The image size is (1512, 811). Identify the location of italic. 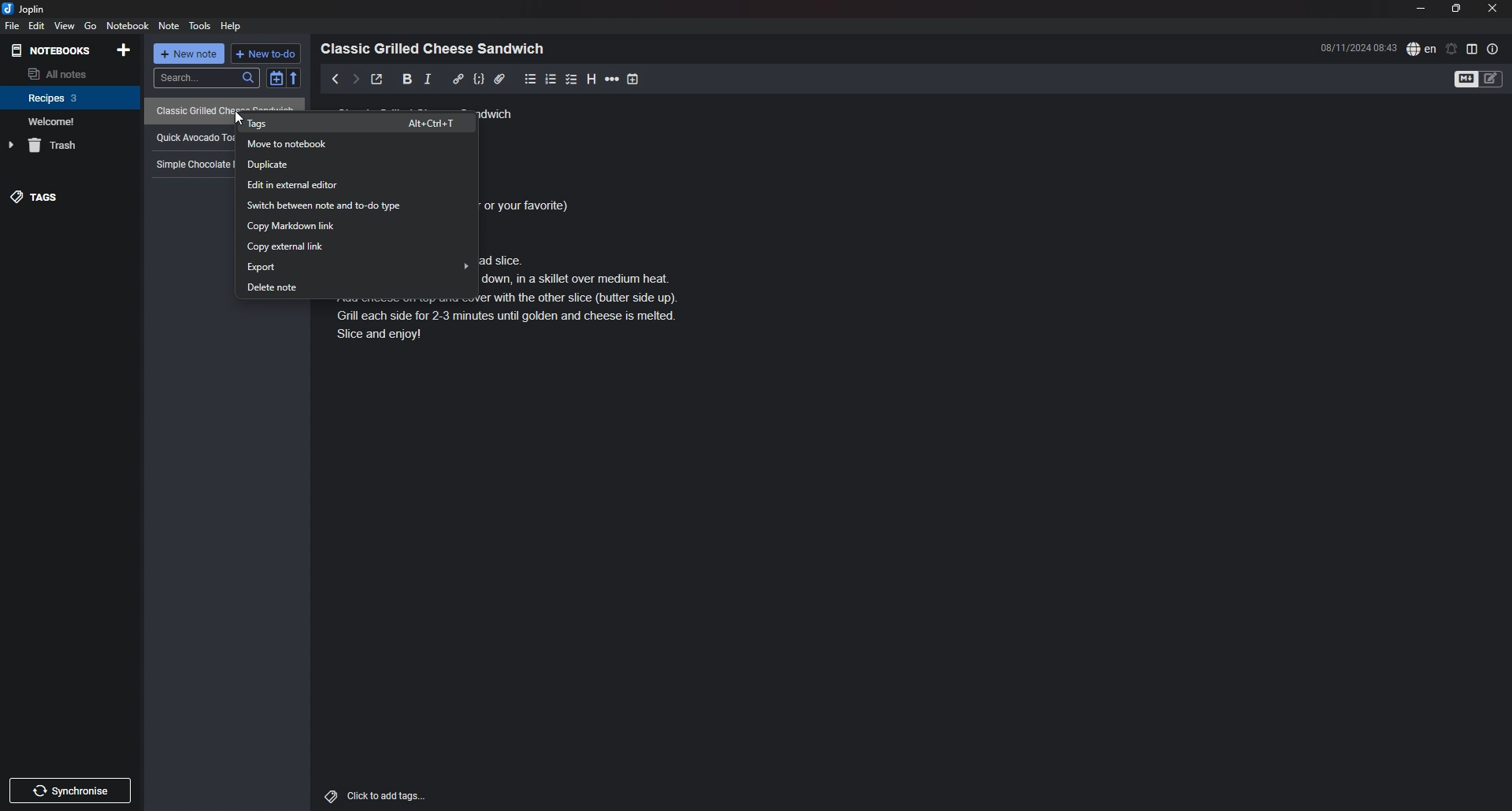
(428, 79).